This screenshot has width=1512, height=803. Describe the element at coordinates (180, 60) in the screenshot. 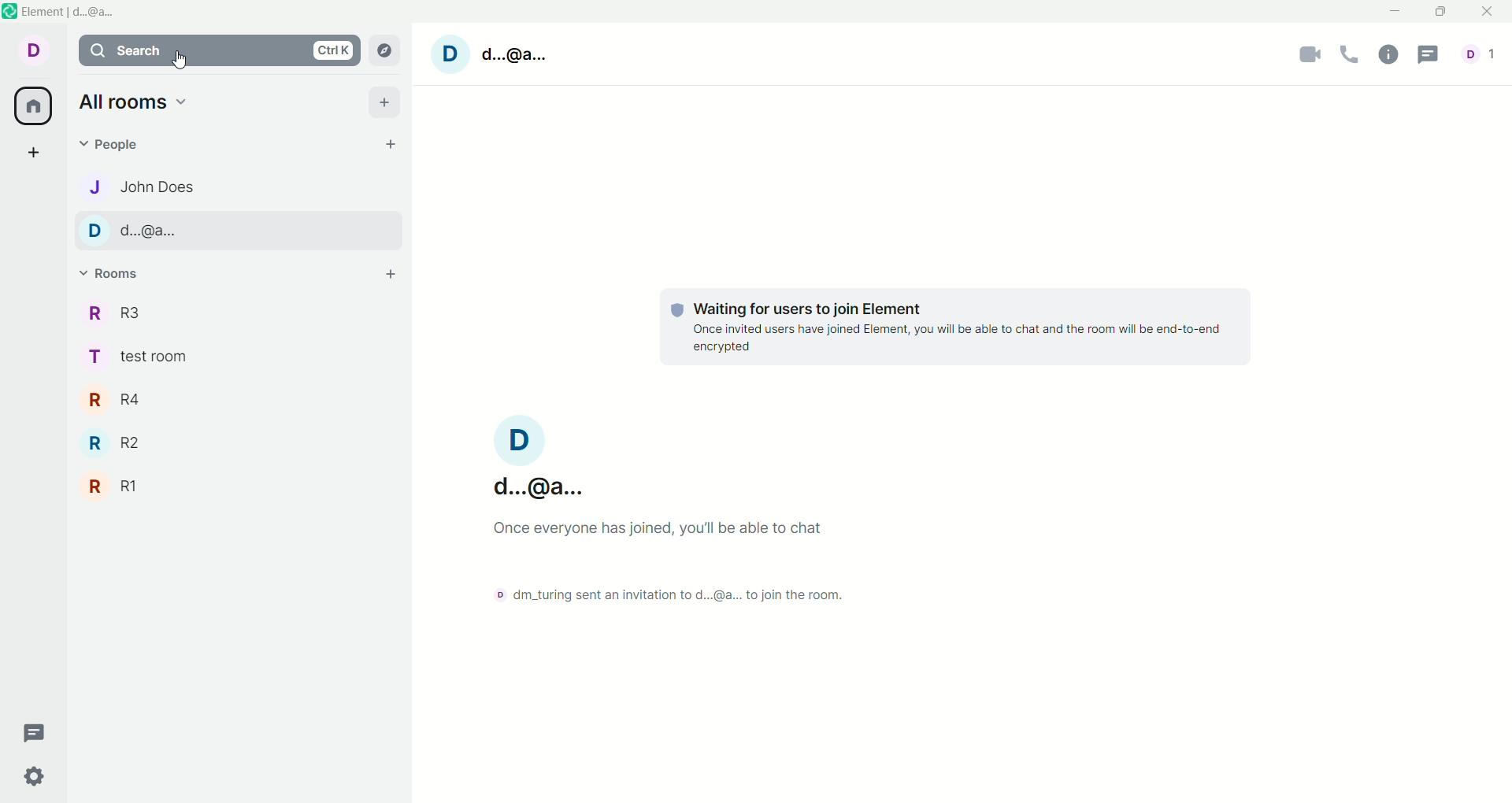

I see `Cursor` at that location.